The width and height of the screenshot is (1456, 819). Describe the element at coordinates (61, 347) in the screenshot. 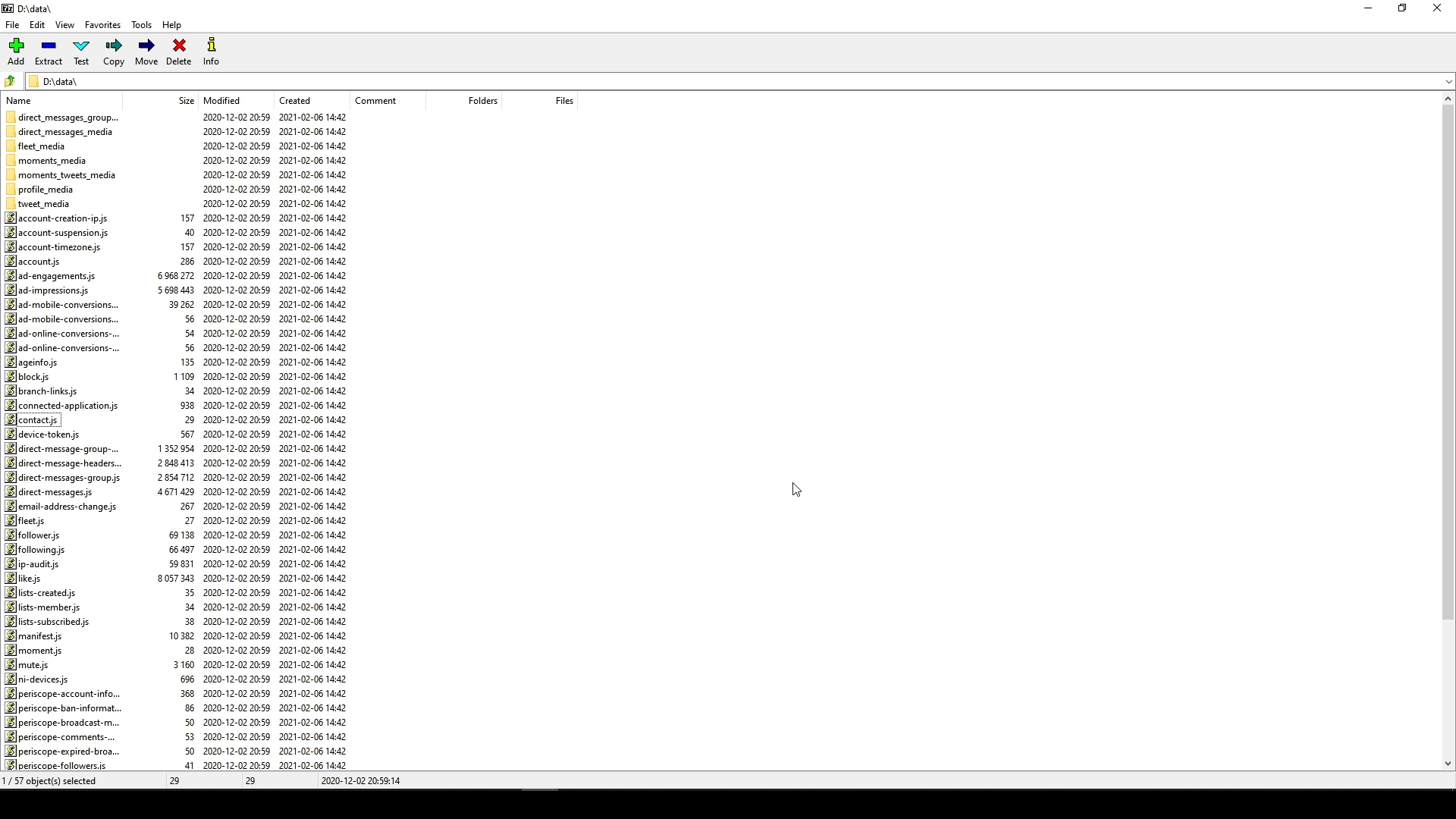

I see `ad-online-conversions` at that location.